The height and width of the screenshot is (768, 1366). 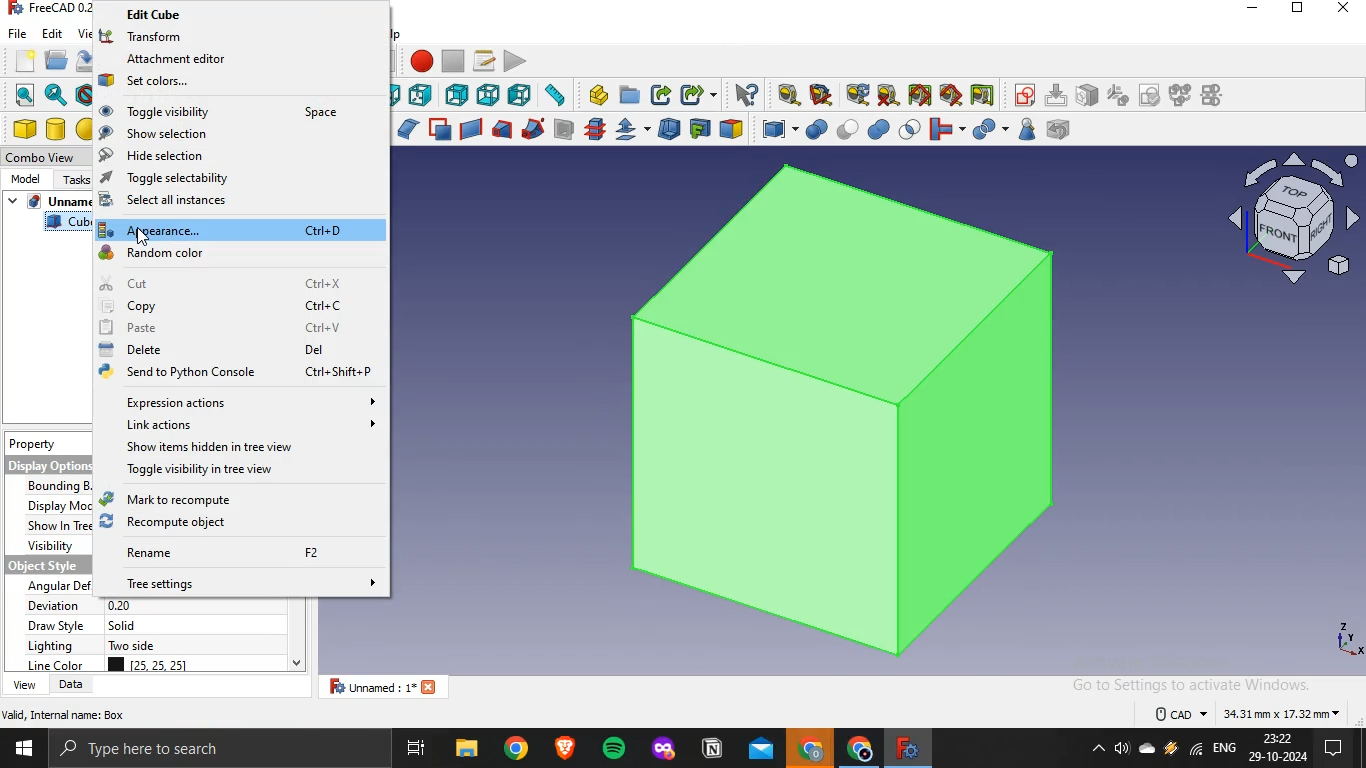 I want to click on attachment editor, so click(x=221, y=57).